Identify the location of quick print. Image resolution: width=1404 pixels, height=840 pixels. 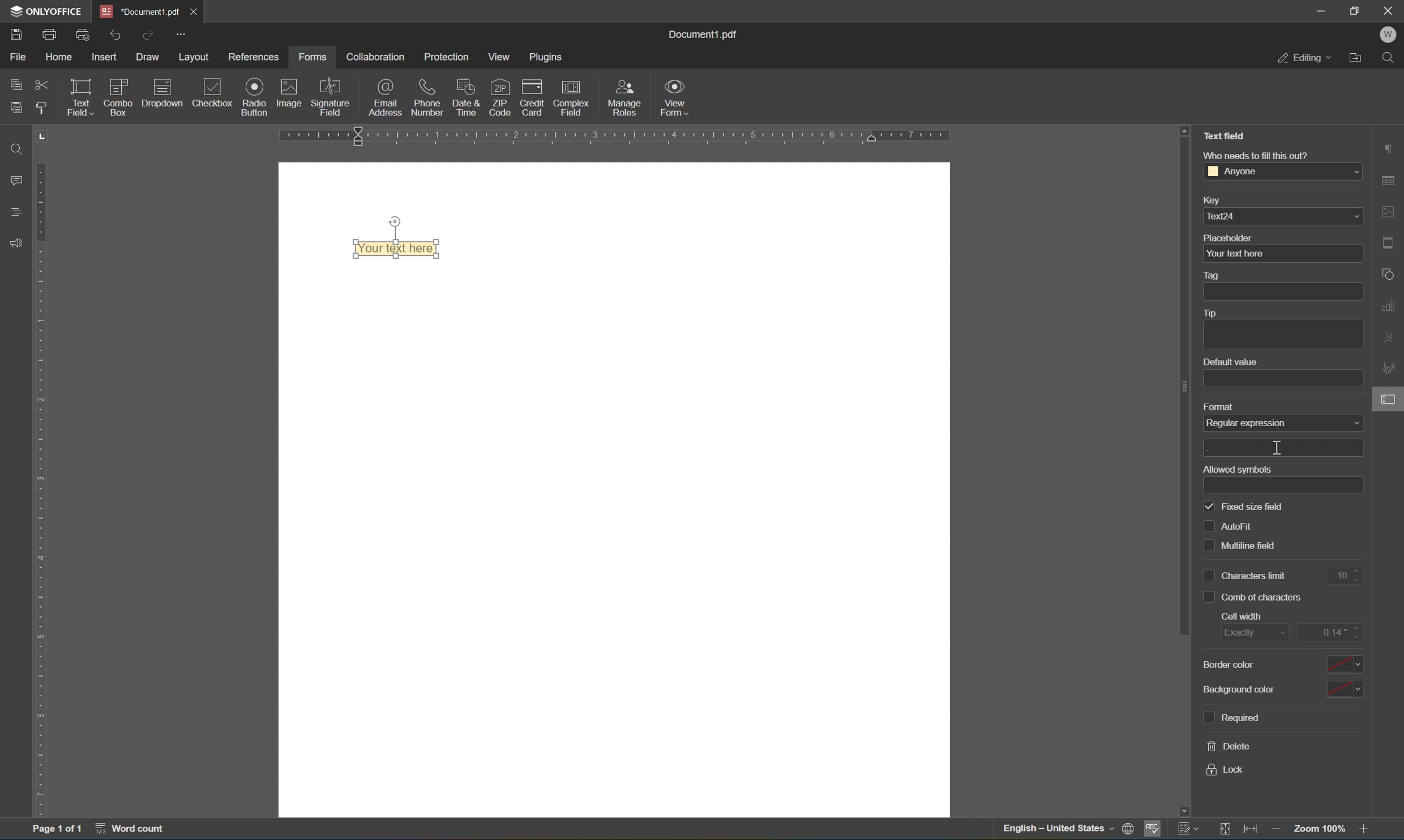
(84, 35).